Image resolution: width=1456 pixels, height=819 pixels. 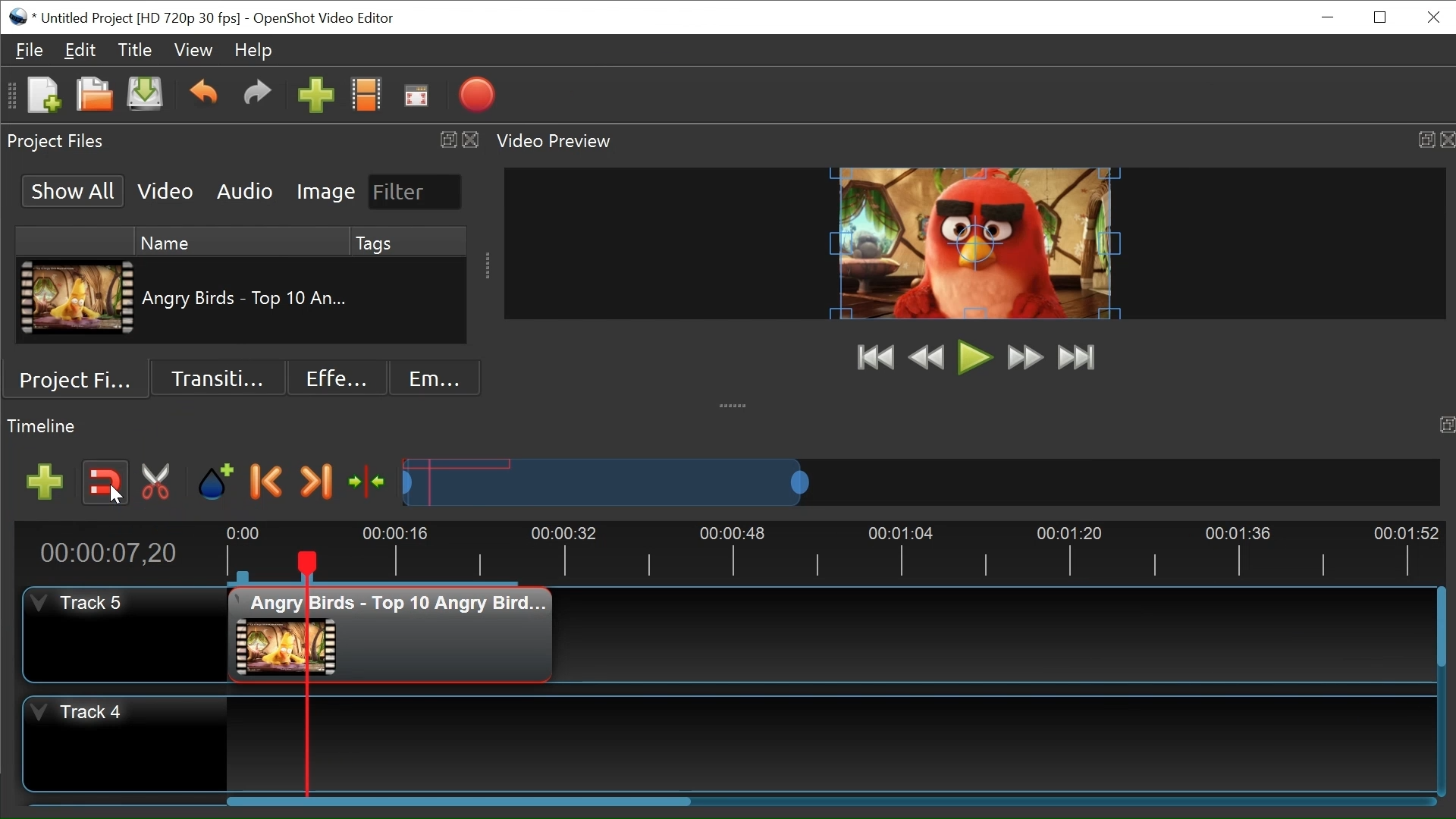 What do you see at coordinates (1441, 627) in the screenshot?
I see `Vertical Scroll bar` at bounding box center [1441, 627].